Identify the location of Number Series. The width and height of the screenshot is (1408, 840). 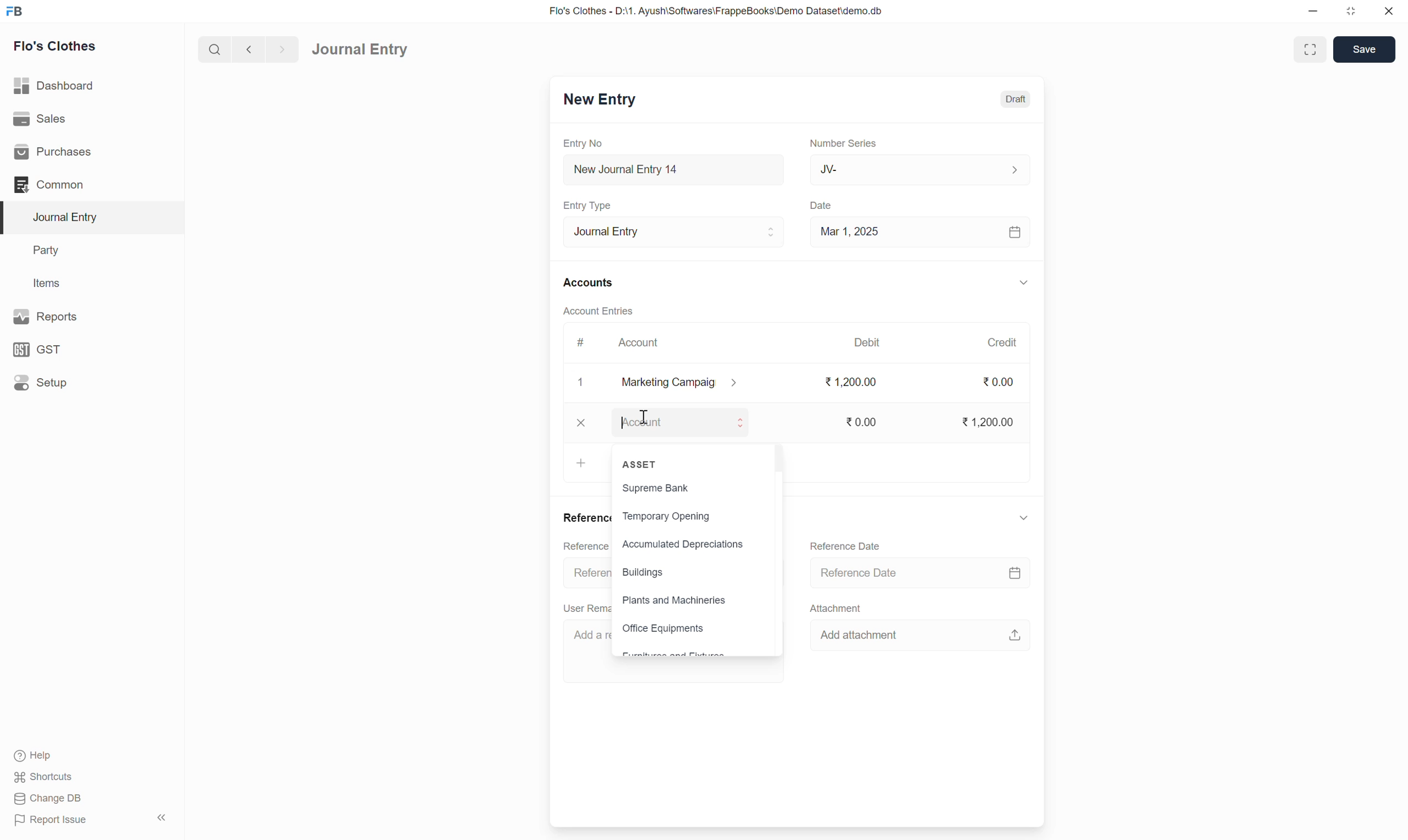
(844, 142).